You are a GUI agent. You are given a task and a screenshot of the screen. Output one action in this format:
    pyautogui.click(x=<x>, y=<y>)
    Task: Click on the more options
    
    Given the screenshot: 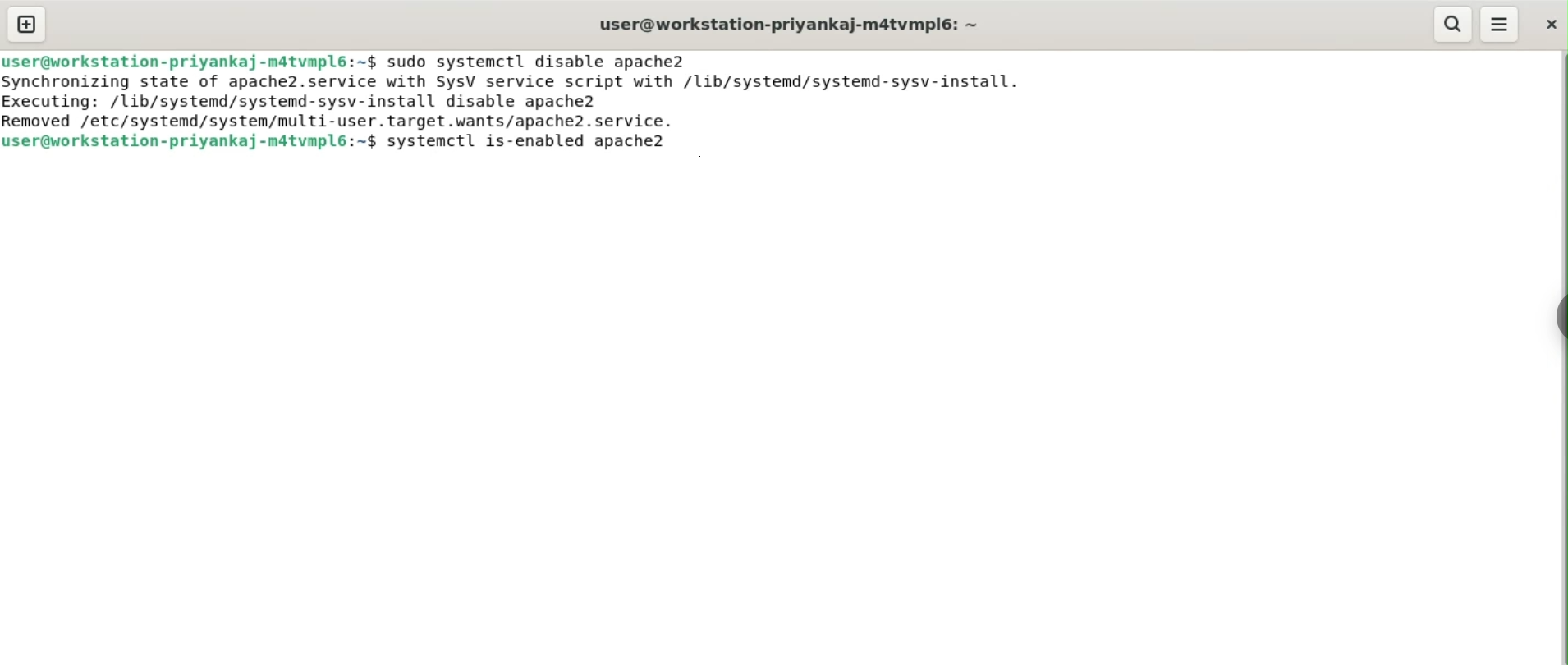 What is the action you would take?
    pyautogui.click(x=1499, y=25)
    